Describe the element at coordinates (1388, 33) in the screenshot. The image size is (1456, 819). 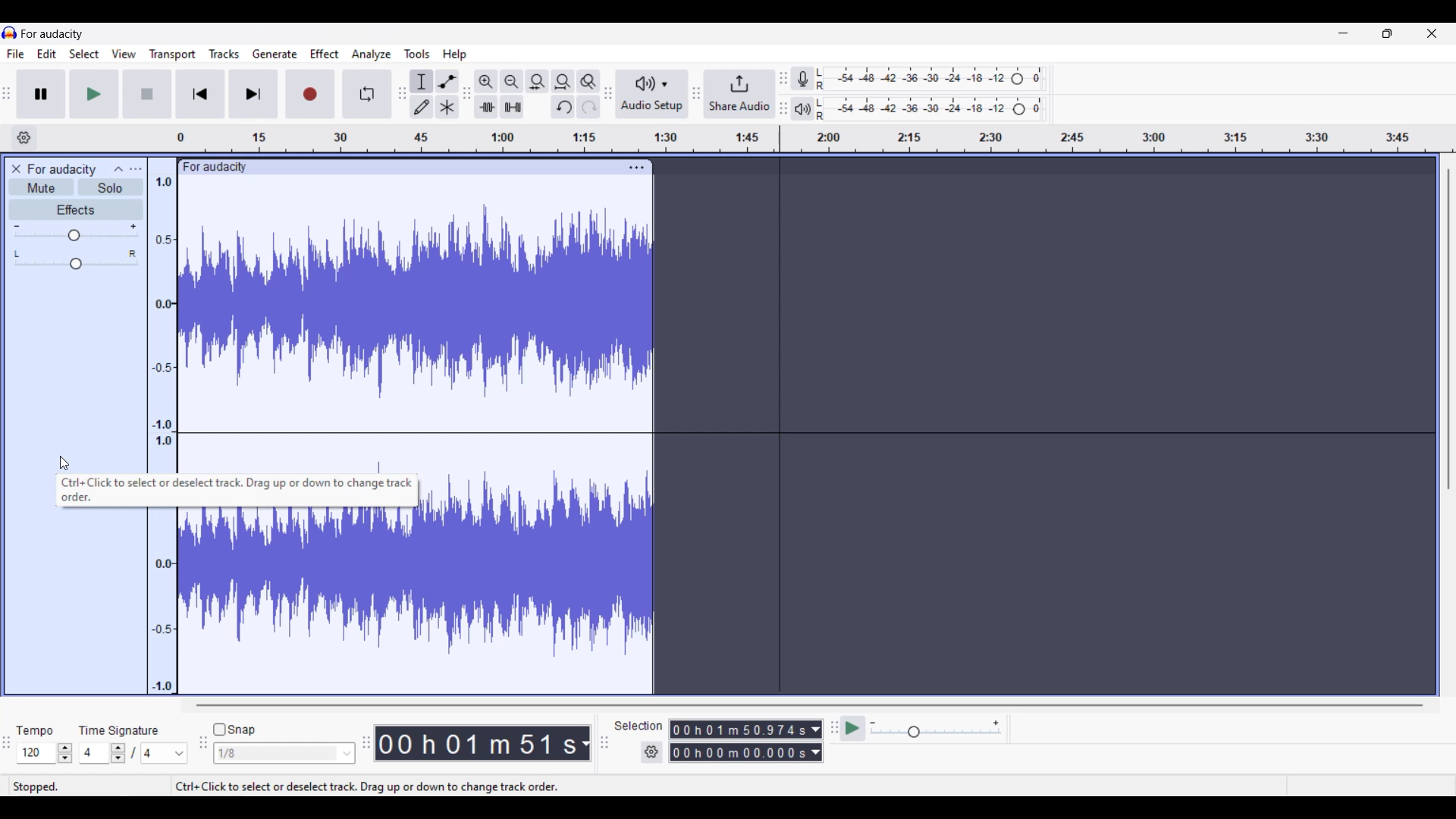
I see `Show in smaller tab` at that location.